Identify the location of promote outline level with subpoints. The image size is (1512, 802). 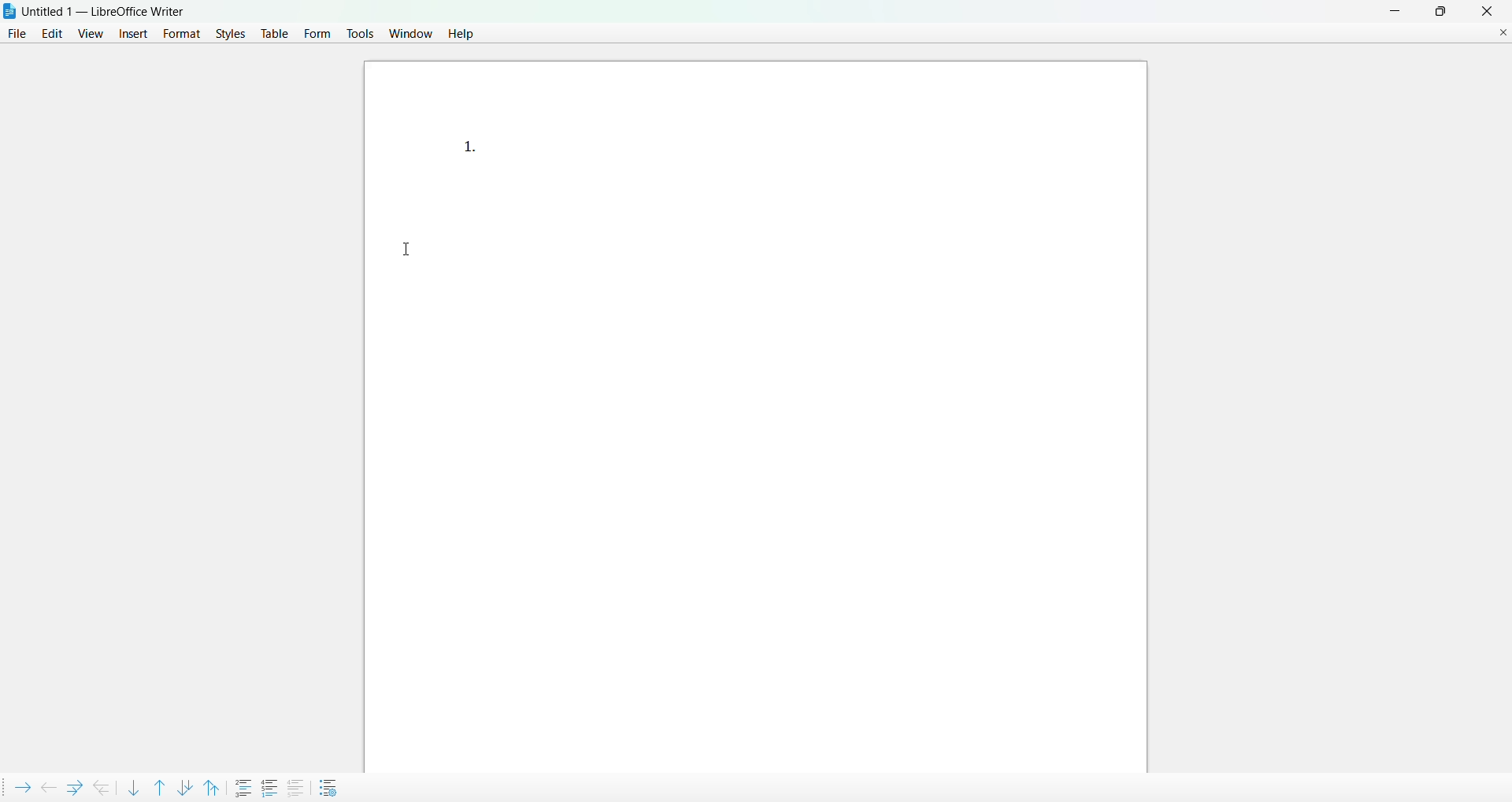
(102, 786).